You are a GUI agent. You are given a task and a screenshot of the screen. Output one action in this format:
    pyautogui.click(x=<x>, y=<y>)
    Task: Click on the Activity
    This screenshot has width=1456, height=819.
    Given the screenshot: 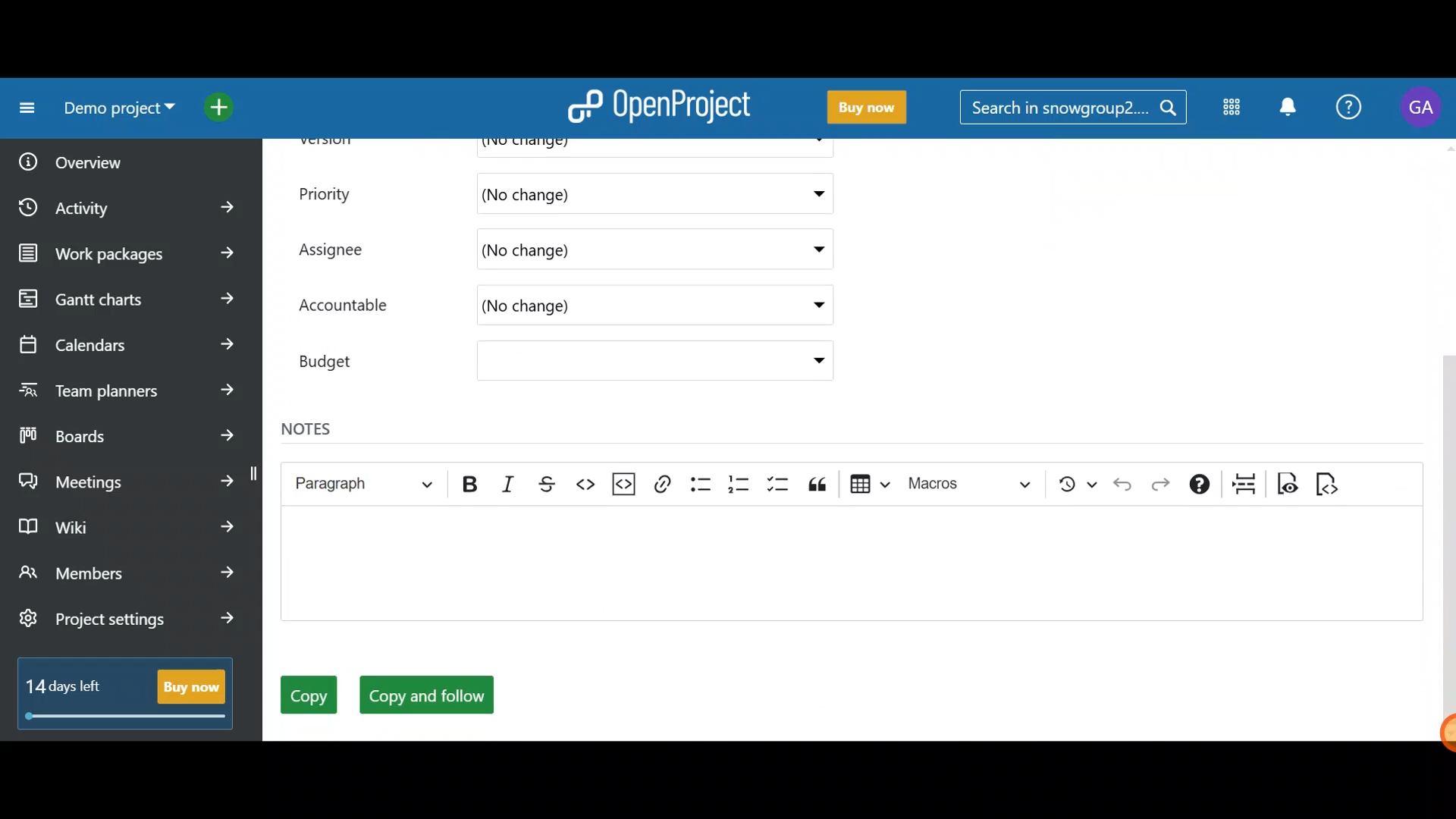 What is the action you would take?
    pyautogui.click(x=131, y=202)
    